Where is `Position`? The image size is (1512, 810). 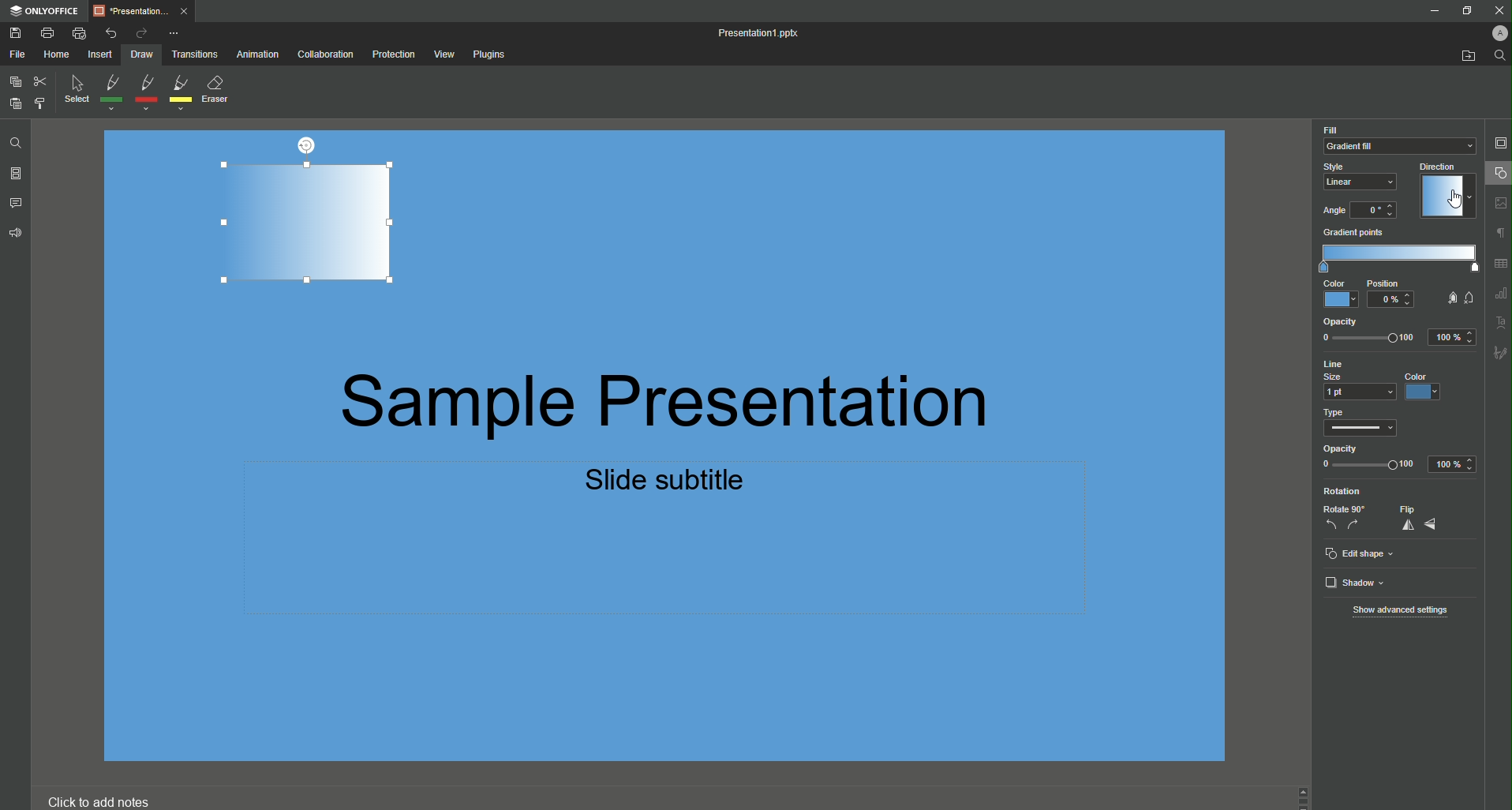
Position is located at coordinates (1390, 295).